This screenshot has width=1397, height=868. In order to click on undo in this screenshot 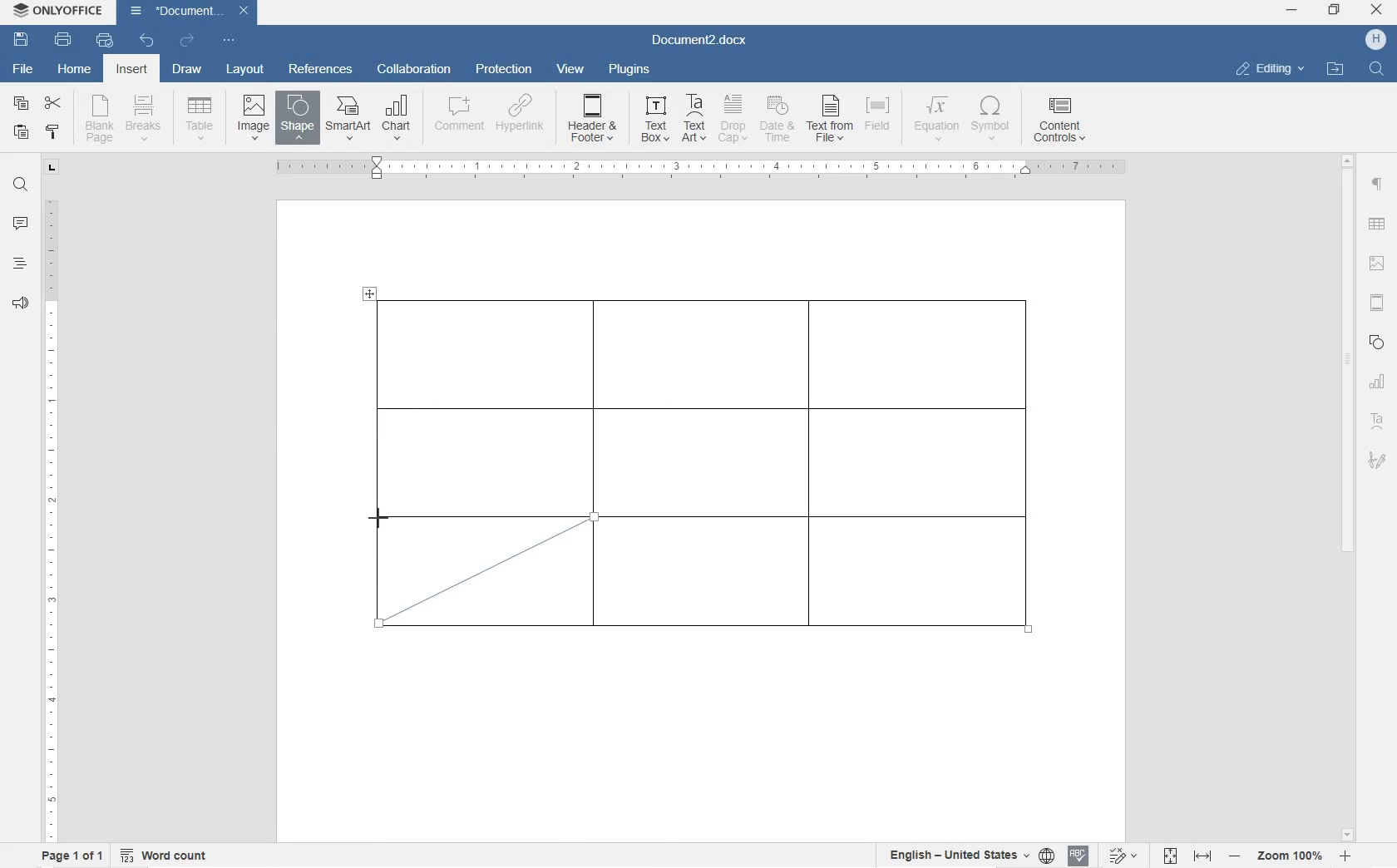, I will do `click(146, 41)`.